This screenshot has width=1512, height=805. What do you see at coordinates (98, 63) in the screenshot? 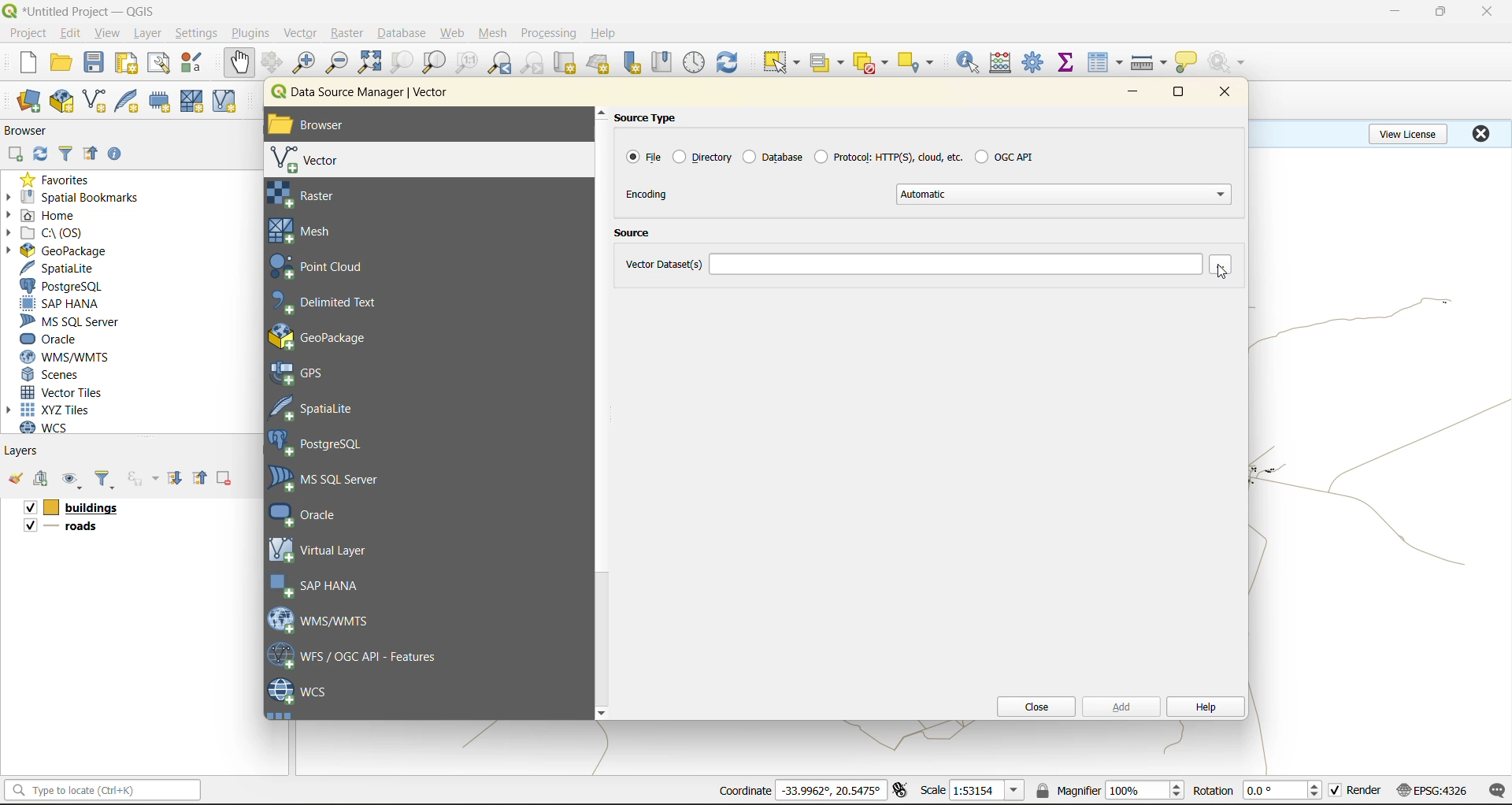
I see `save` at bounding box center [98, 63].